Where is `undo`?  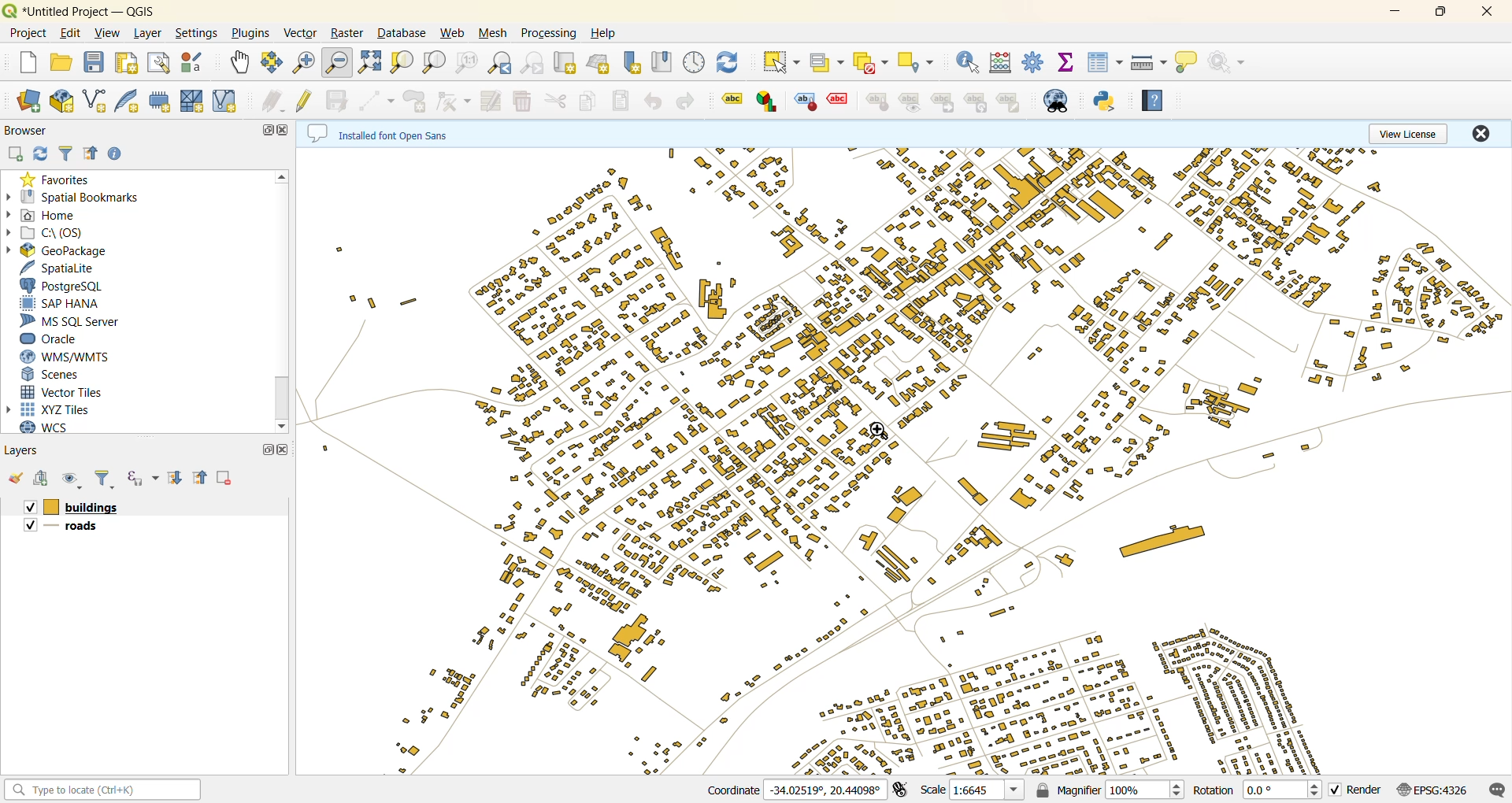 undo is located at coordinates (653, 105).